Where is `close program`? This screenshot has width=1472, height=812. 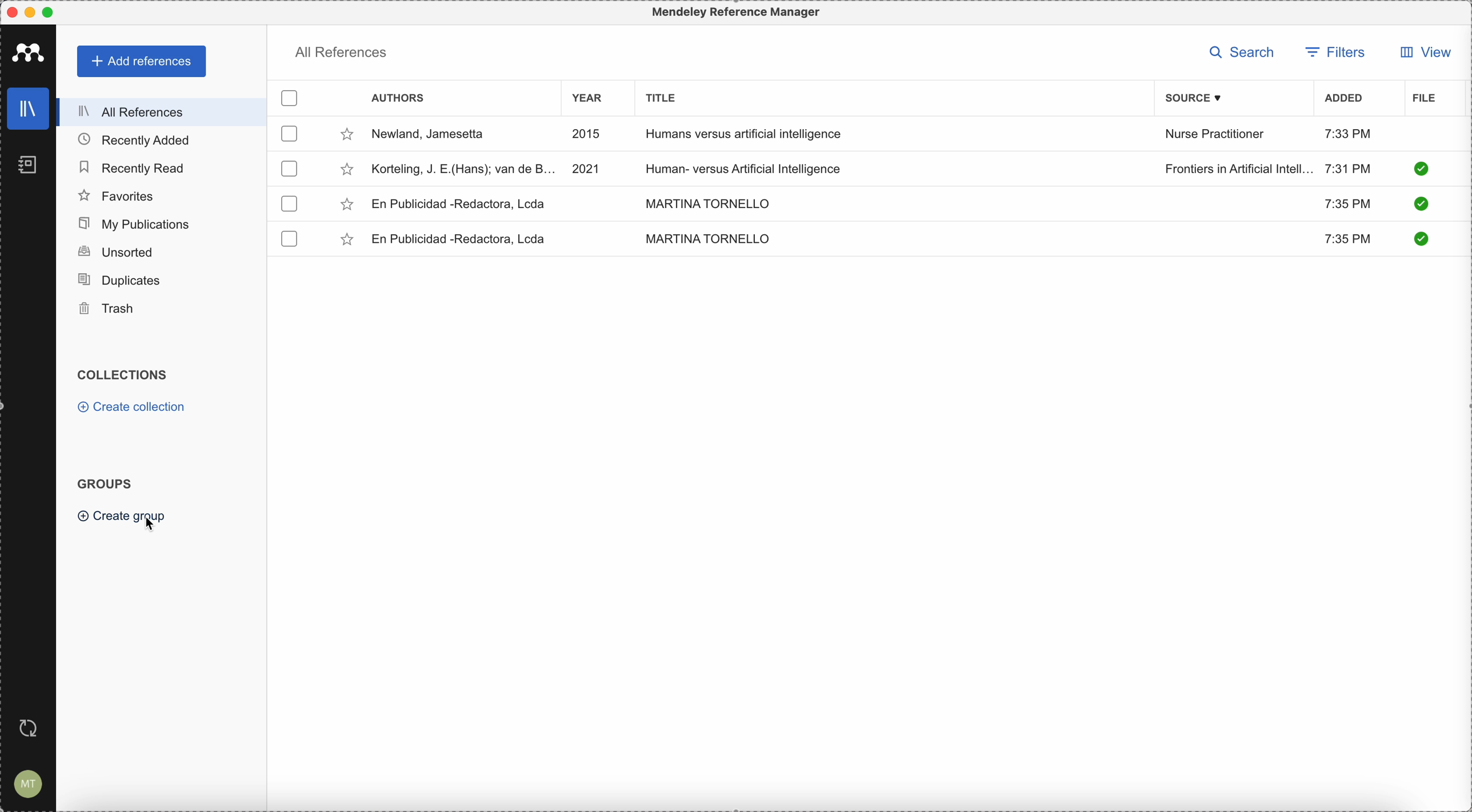 close program is located at coordinates (12, 13).